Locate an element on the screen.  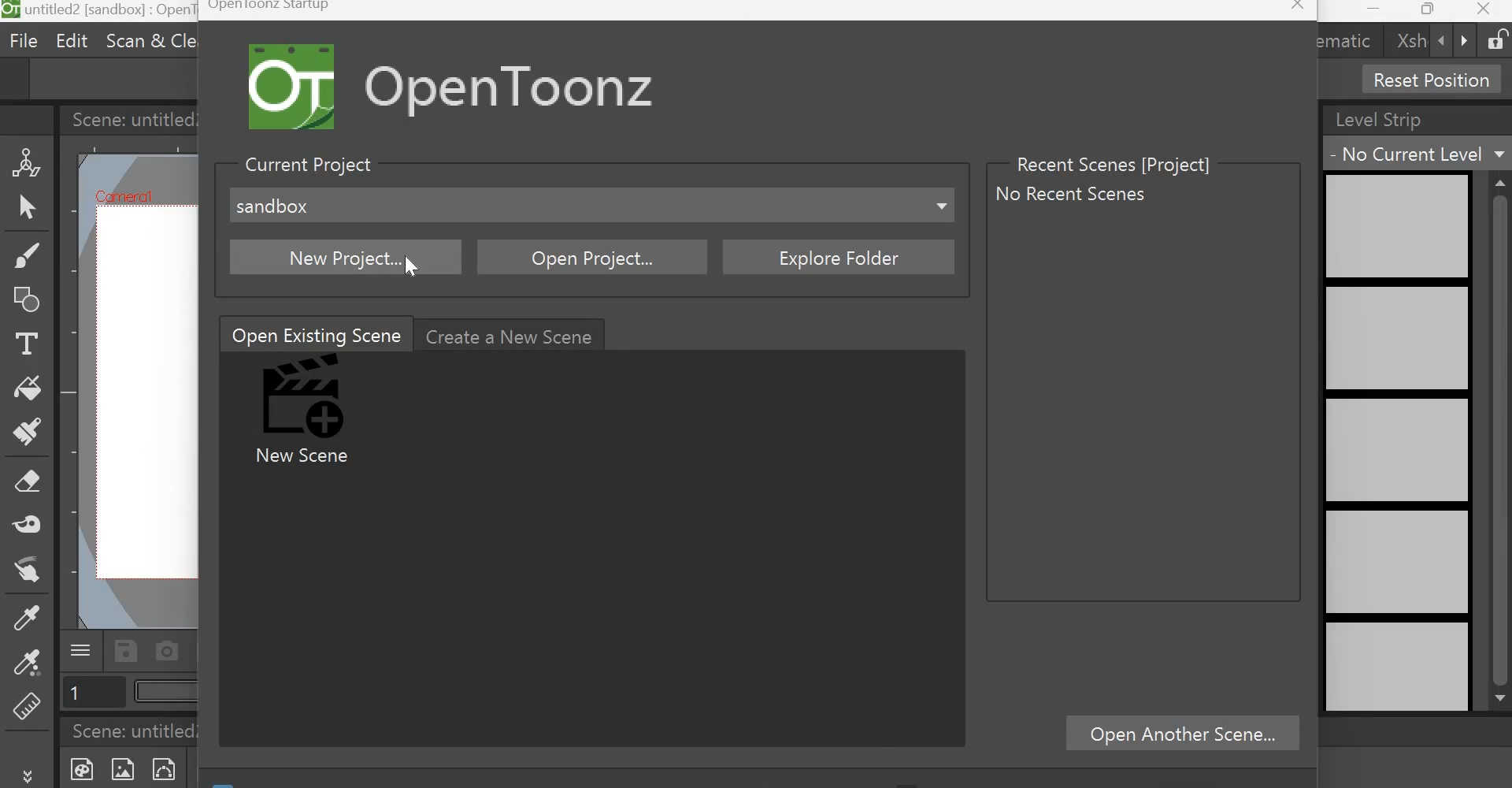
New project is located at coordinates (347, 256).